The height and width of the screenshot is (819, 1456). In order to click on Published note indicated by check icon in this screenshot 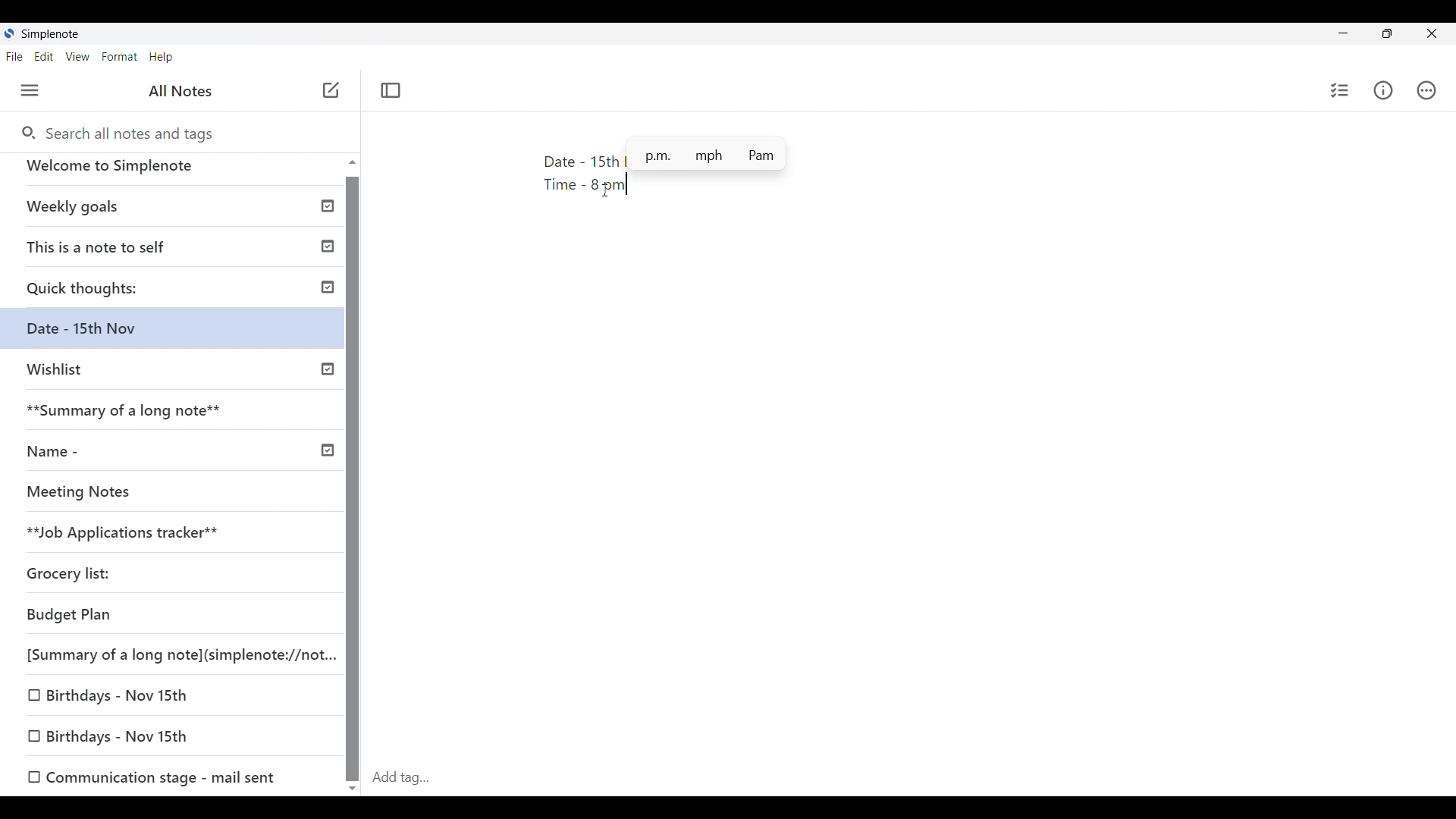, I will do `click(181, 252)`.